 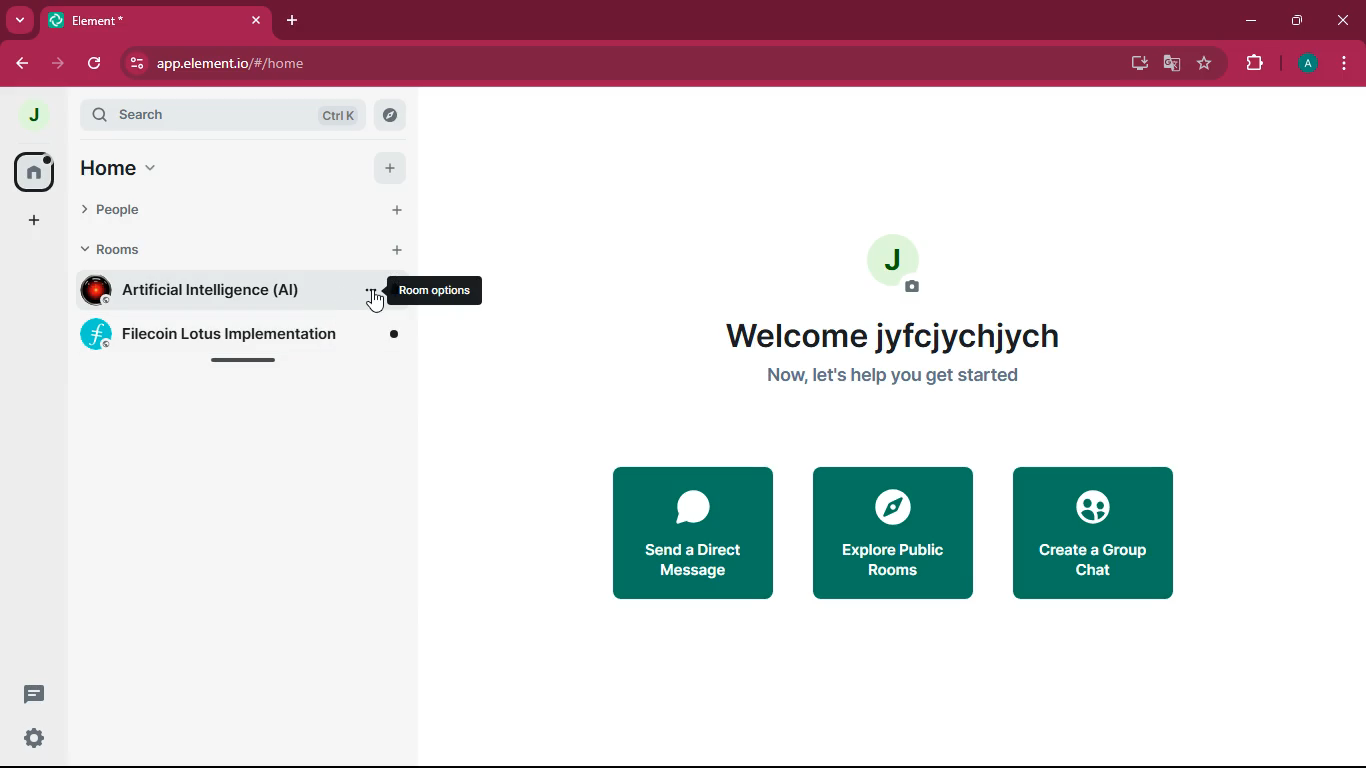 What do you see at coordinates (157, 21) in the screenshot?
I see `tab` at bounding box center [157, 21].